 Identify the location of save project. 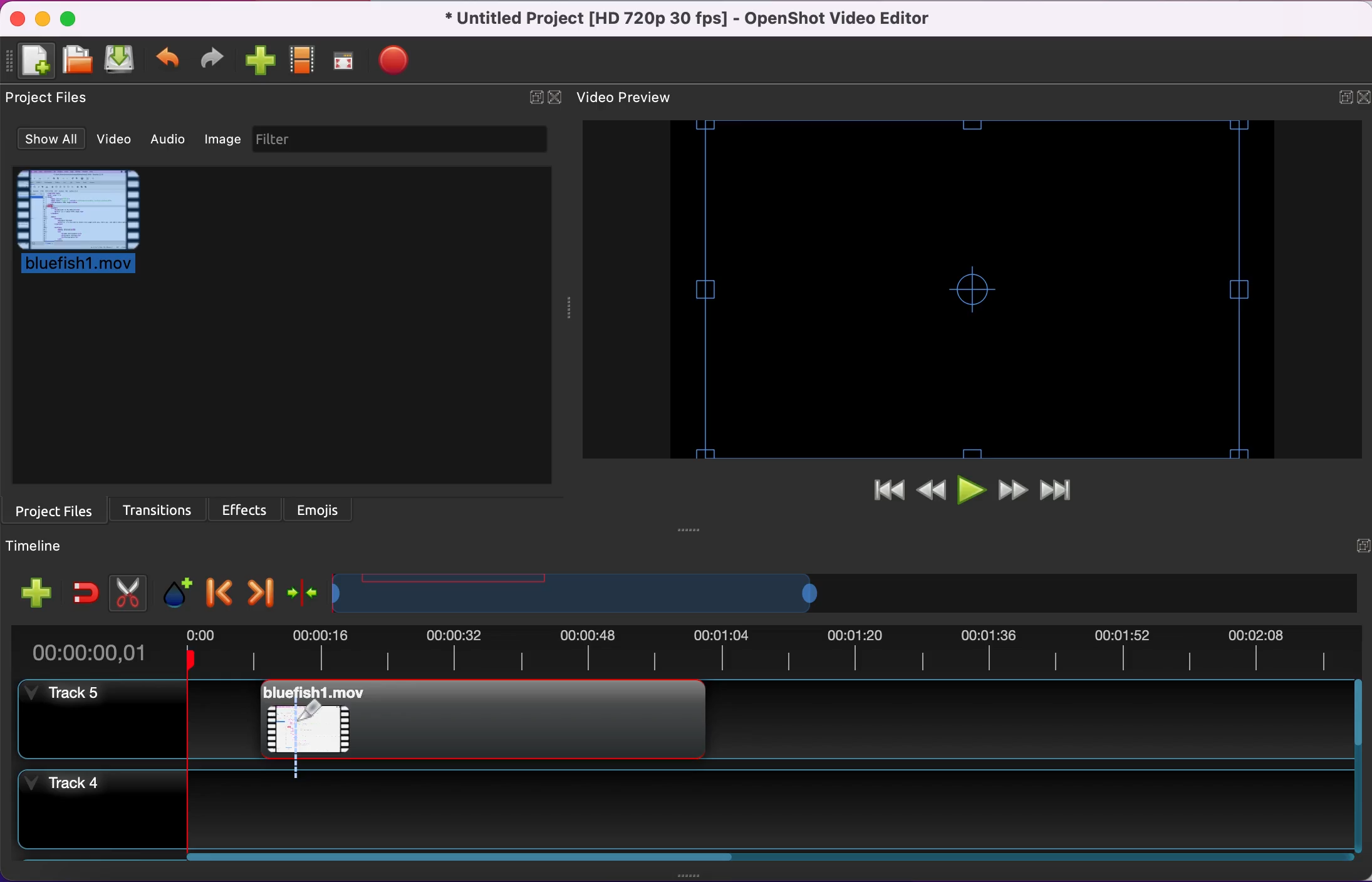
(120, 61).